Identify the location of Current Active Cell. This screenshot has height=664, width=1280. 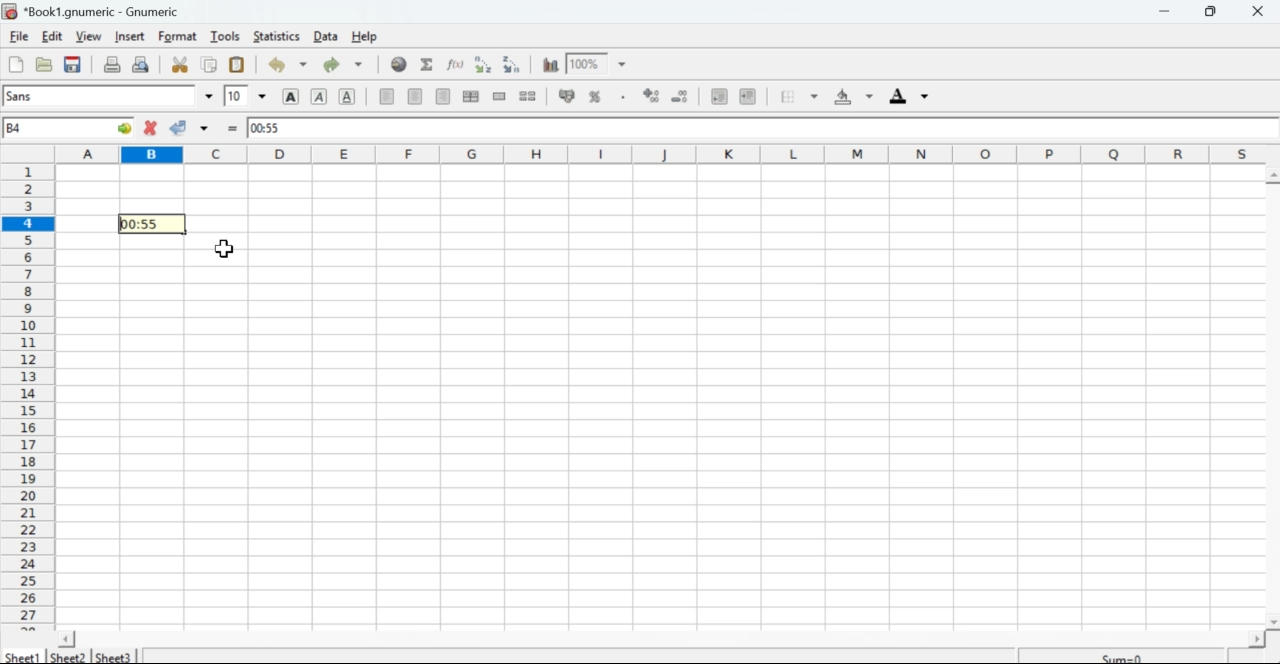
(68, 127).